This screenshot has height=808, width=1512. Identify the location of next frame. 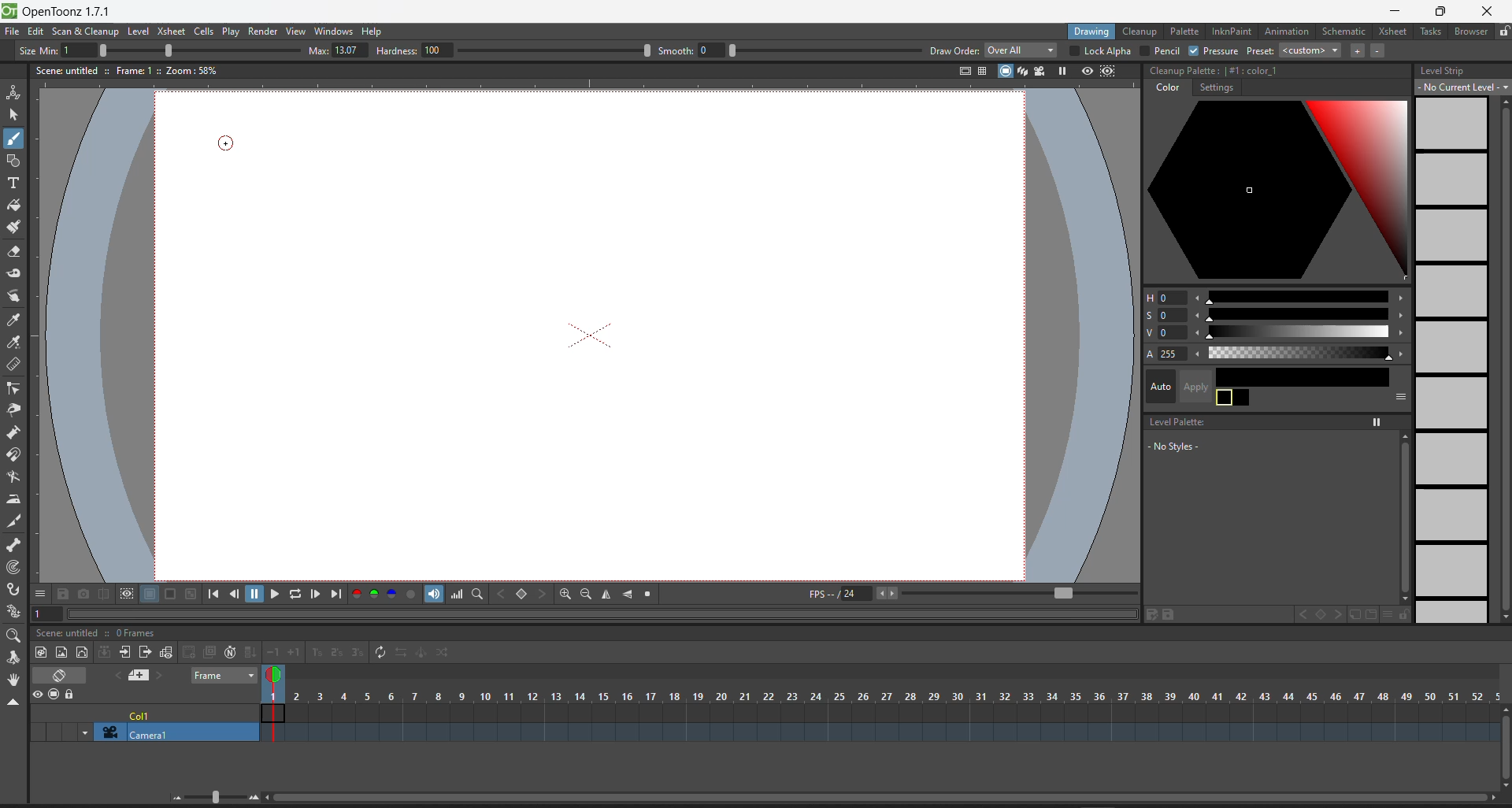
(317, 595).